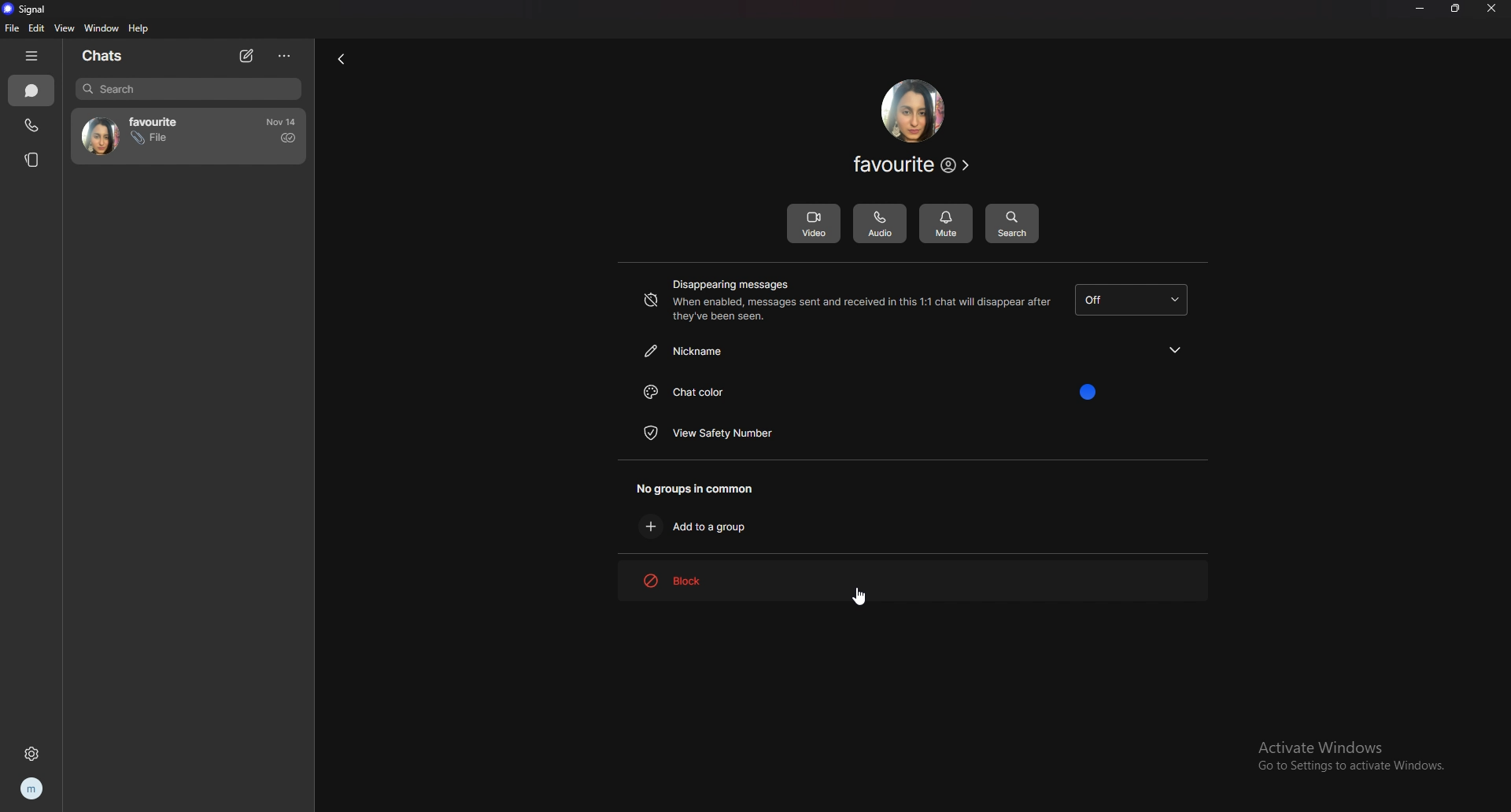  I want to click on cursor, so click(857, 596).